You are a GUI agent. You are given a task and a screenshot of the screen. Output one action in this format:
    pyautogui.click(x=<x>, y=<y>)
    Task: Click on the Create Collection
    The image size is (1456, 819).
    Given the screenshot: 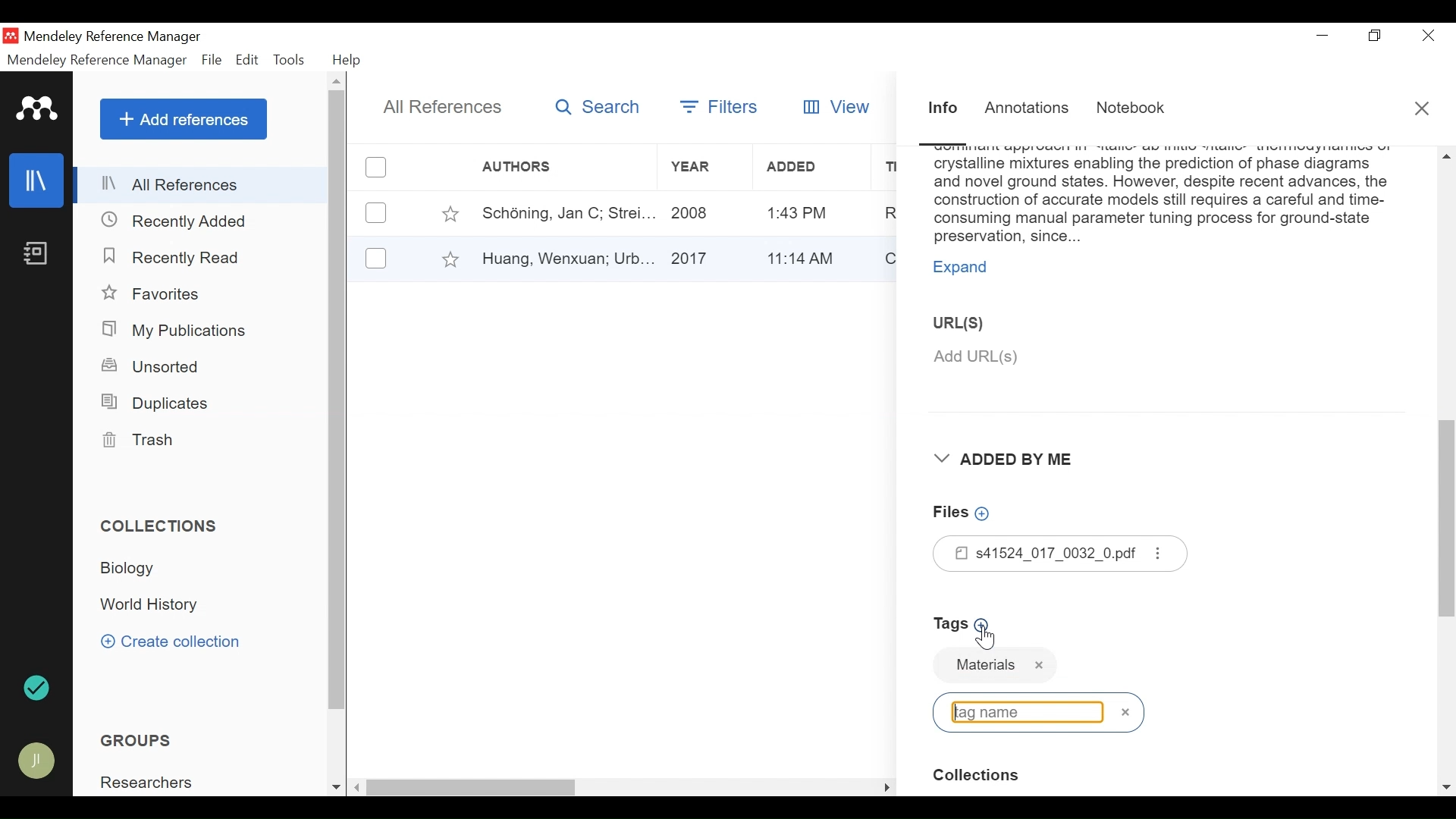 What is the action you would take?
    pyautogui.click(x=171, y=641)
    